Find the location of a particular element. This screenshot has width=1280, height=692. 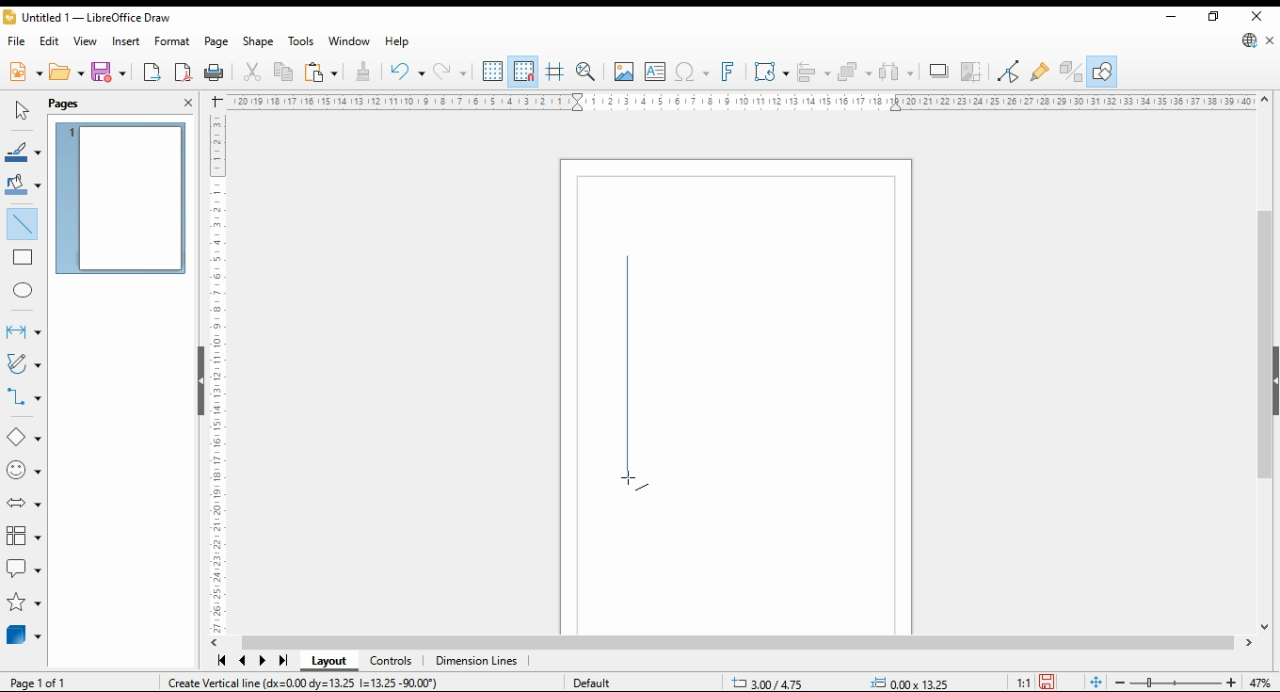

ellipse is located at coordinates (23, 288).